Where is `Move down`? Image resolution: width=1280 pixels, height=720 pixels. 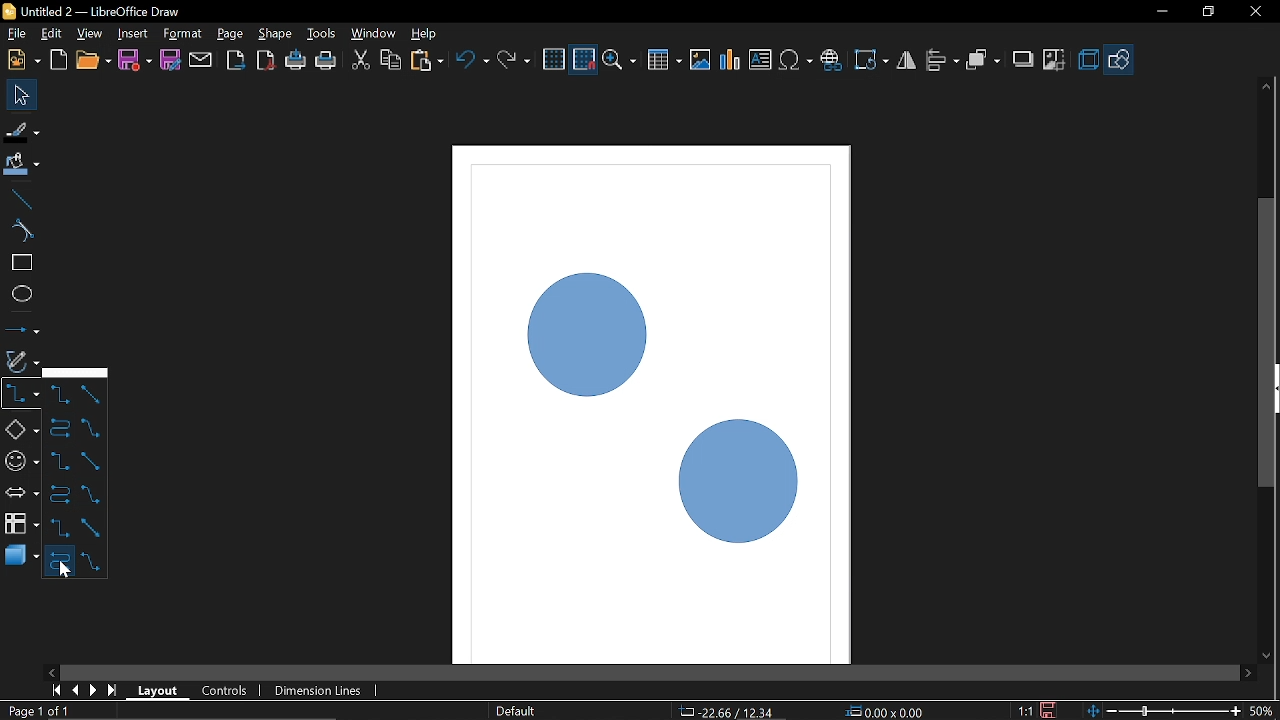
Move down is located at coordinates (1270, 659).